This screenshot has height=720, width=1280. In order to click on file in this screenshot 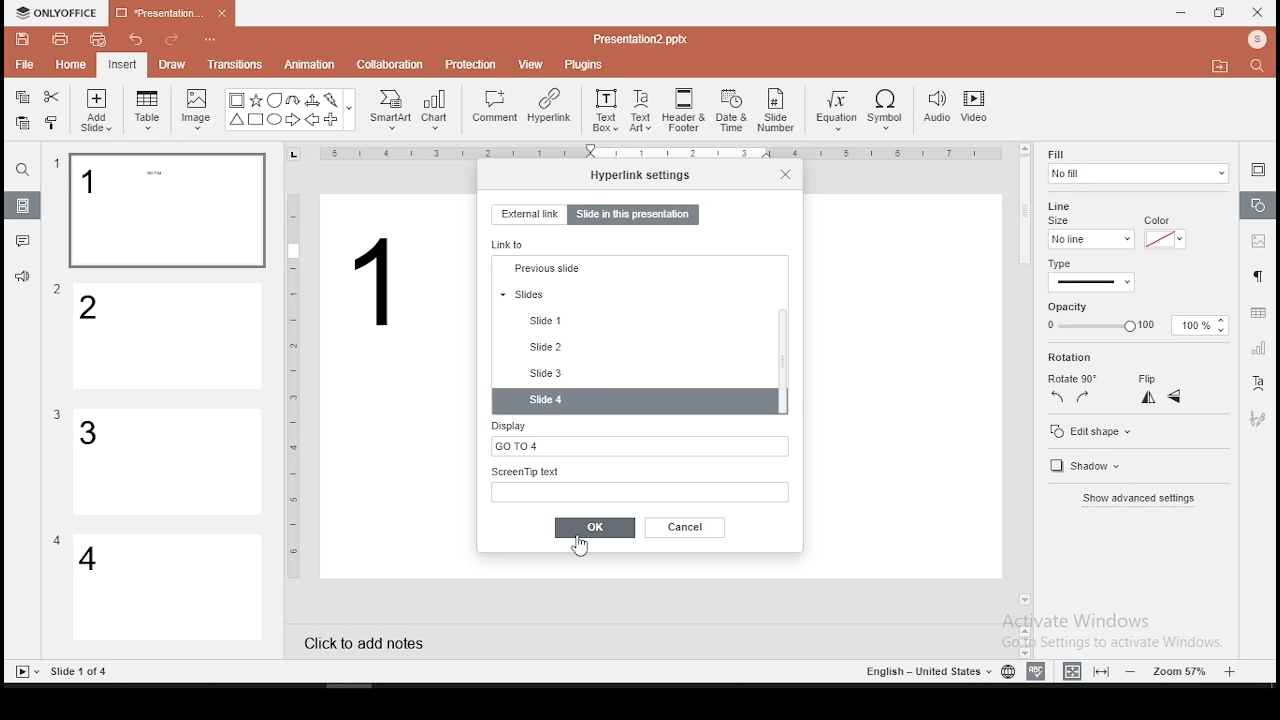, I will do `click(24, 66)`.